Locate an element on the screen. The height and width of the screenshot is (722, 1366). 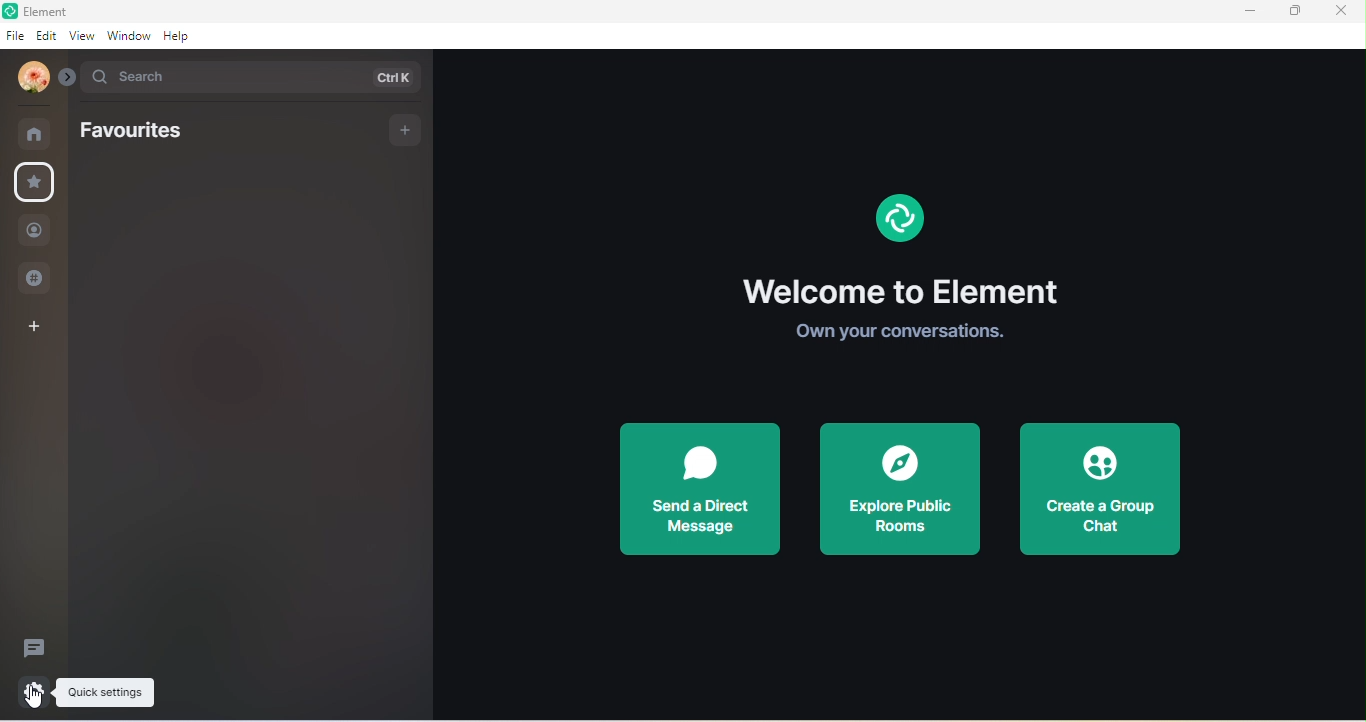
people is located at coordinates (38, 228).